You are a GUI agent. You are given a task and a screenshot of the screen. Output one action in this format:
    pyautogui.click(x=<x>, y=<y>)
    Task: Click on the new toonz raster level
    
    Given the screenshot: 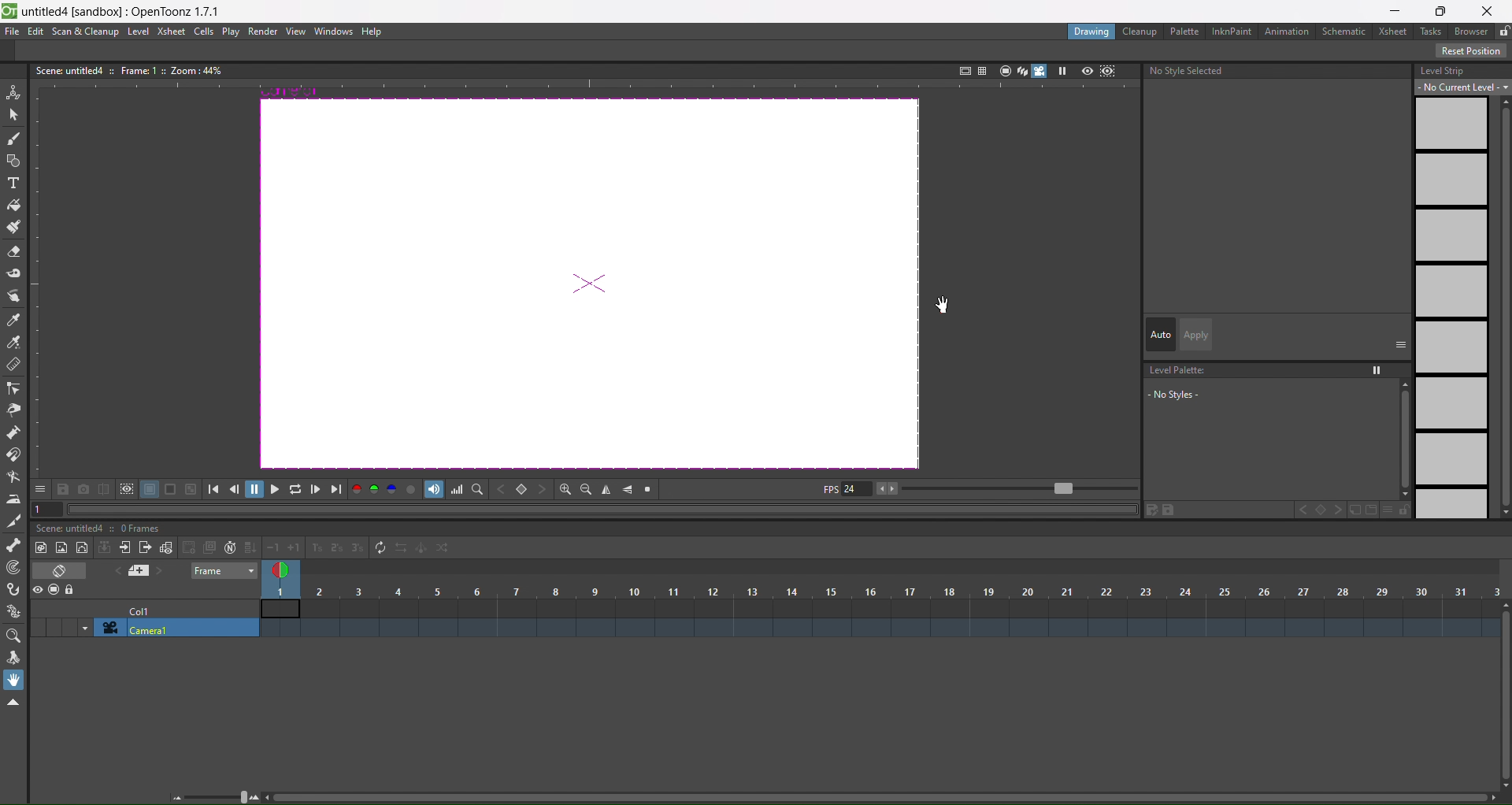 What is the action you would take?
    pyautogui.click(x=43, y=547)
    